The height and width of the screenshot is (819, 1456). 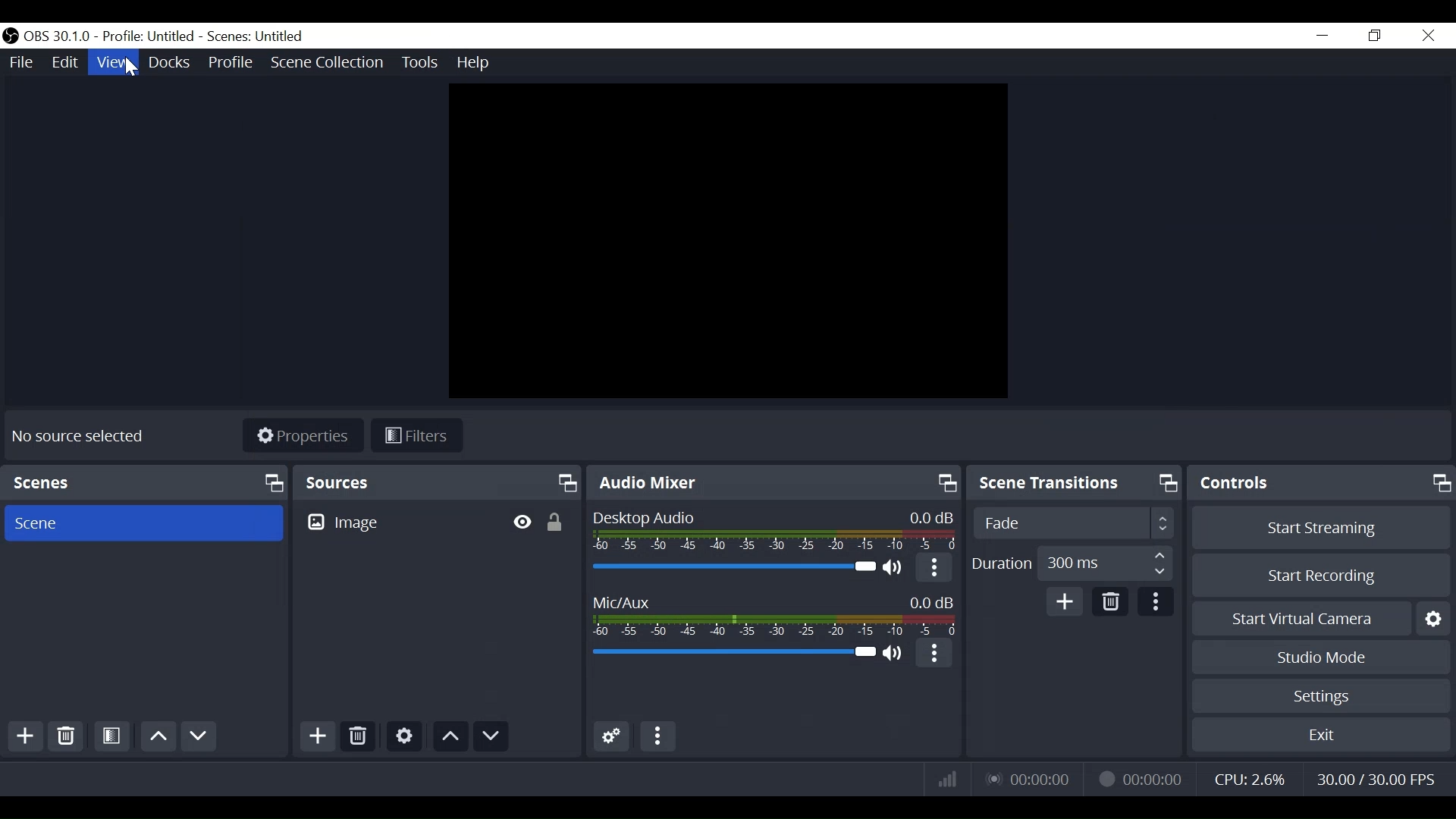 What do you see at coordinates (65, 737) in the screenshot?
I see `Delete` at bounding box center [65, 737].